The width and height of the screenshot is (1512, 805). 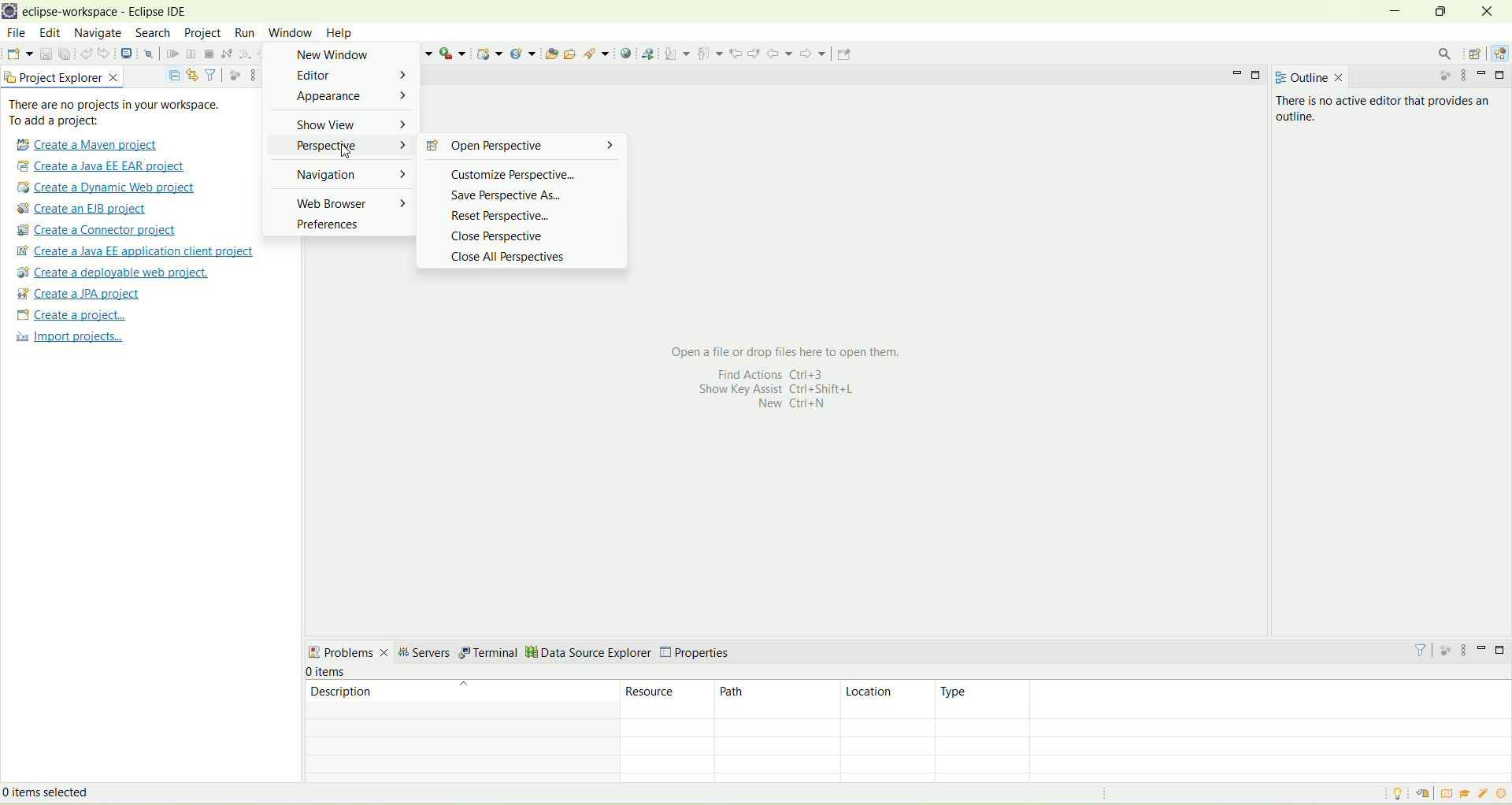 I want to click on view menu, so click(x=1467, y=651).